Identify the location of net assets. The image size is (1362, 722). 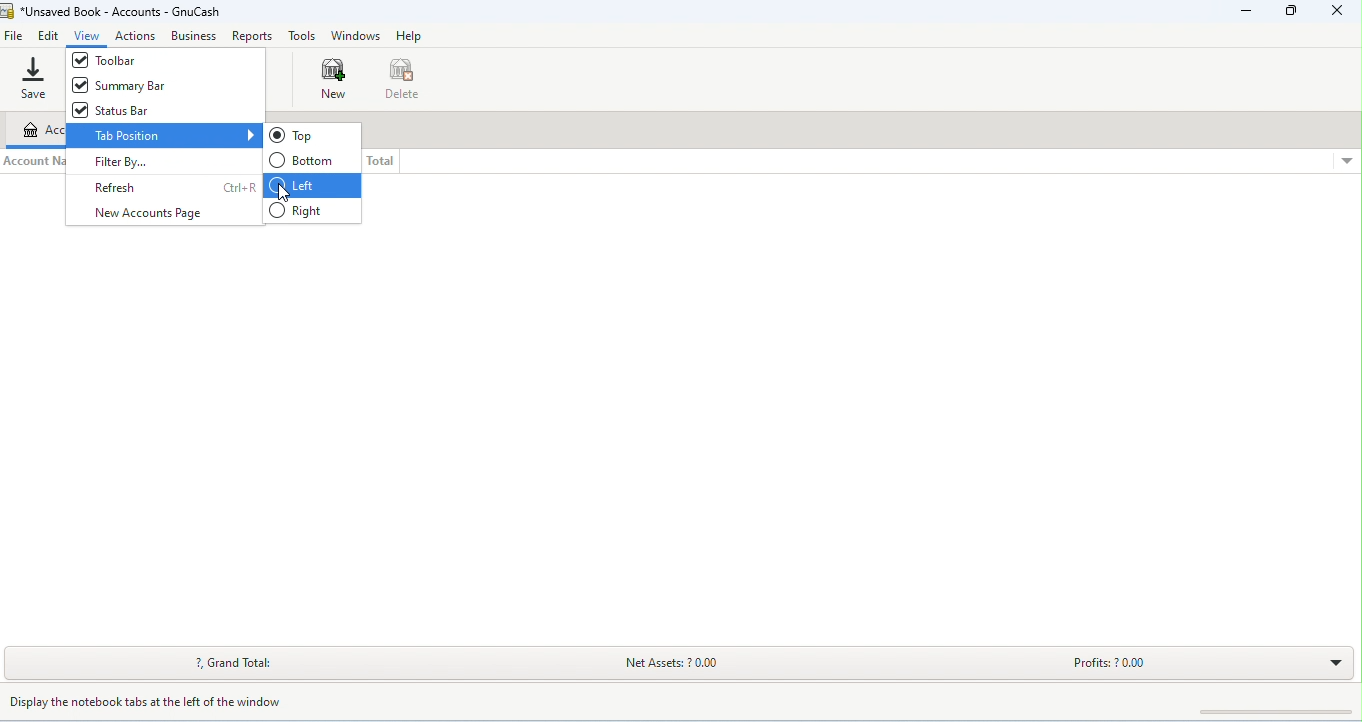
(689, 662).